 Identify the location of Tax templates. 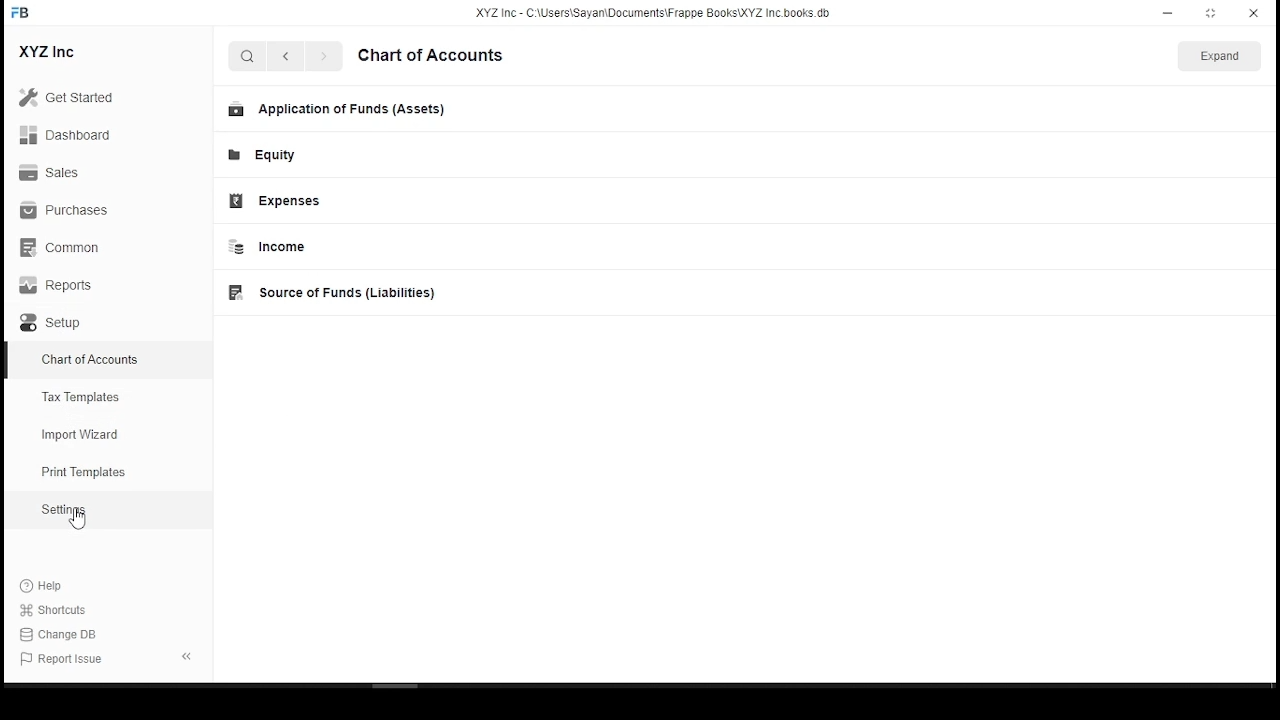
(81, 398).